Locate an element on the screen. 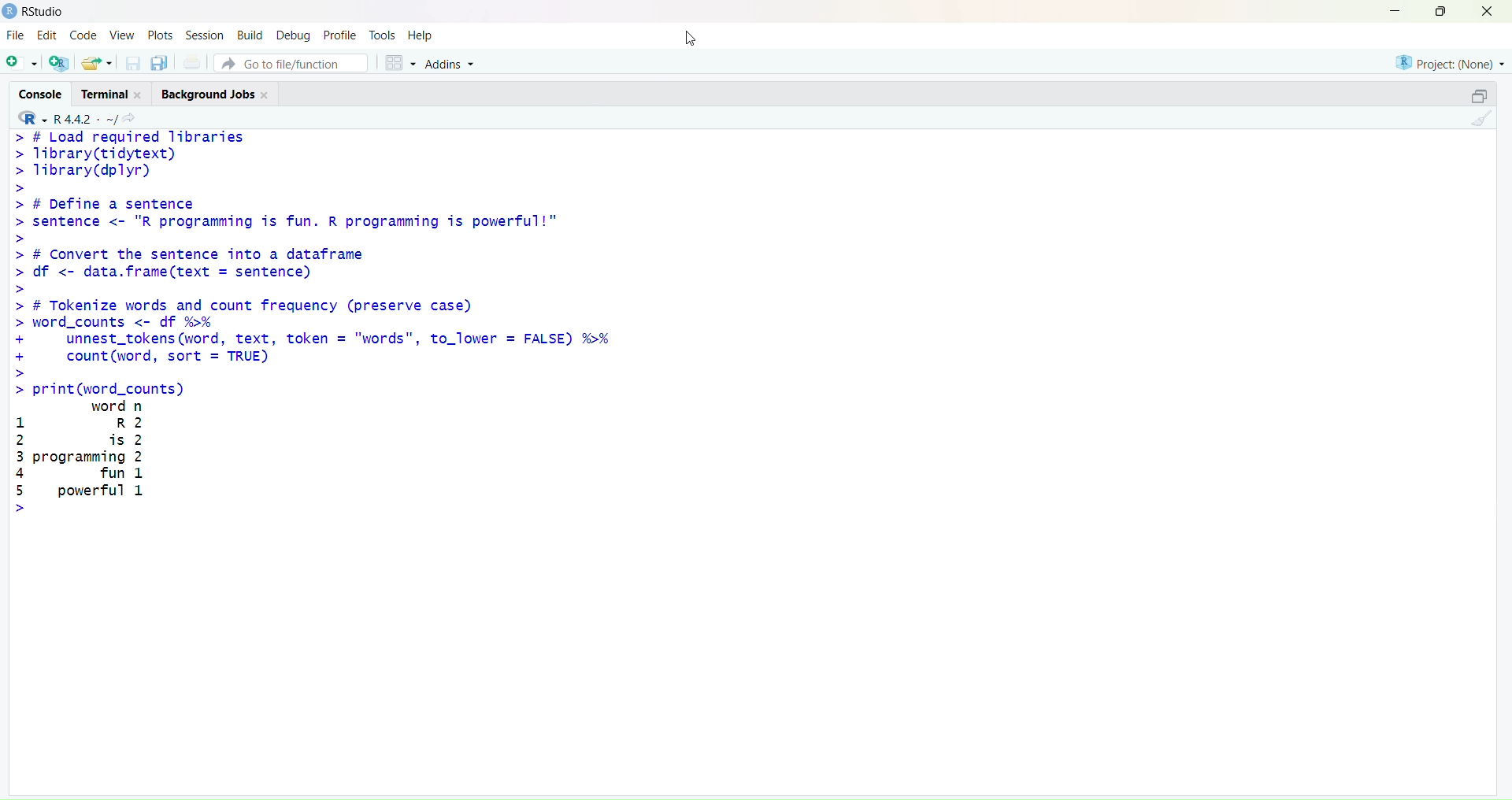 Image resolution: width=1512 pixels, height=800 pixels. profile is located at coordinates (339, 36).